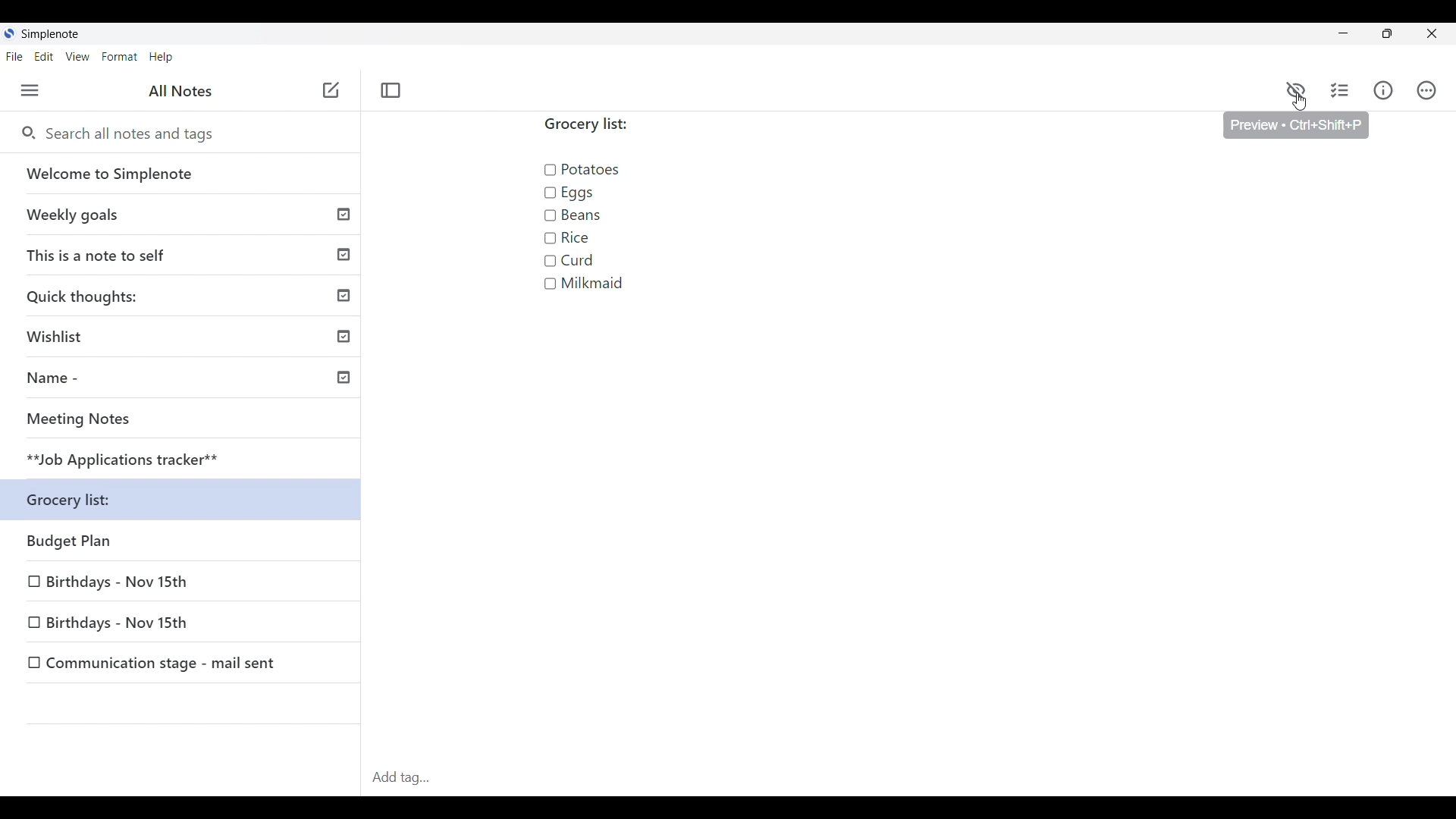 This screenshot has height=819, width=1456. I want to click on Budget Plan, so click(185, 543).